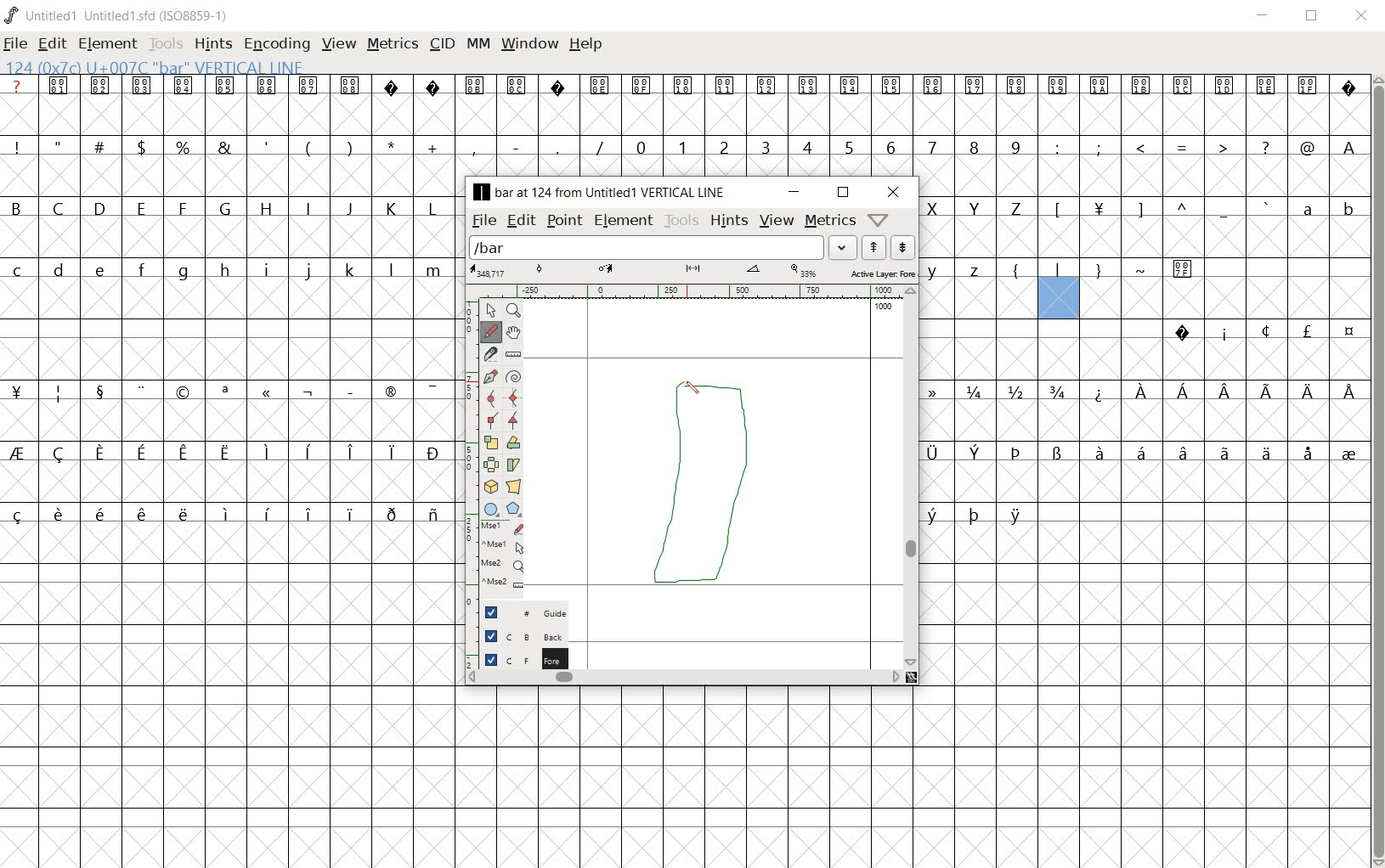  Describe the element at coordinates (513, 312) in the screenshot. I see `Magnify` at that location.